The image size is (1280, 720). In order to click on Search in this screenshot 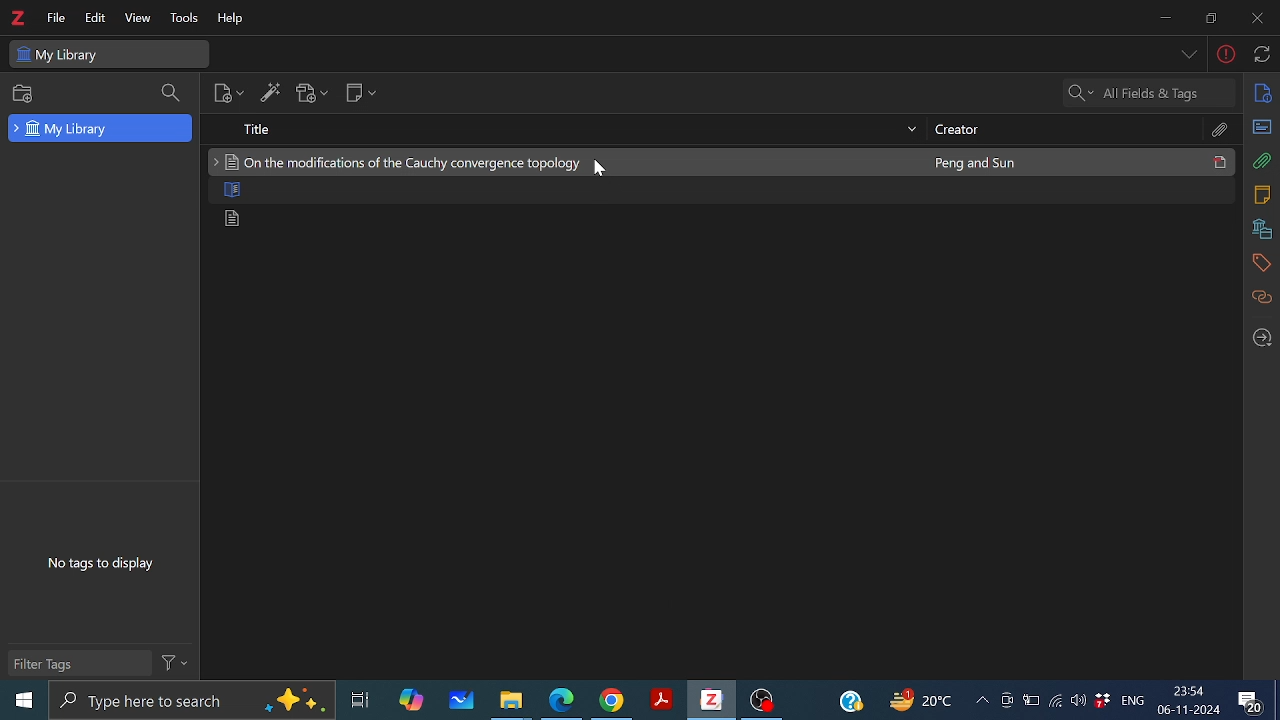, I will do `click(170, 95)`.